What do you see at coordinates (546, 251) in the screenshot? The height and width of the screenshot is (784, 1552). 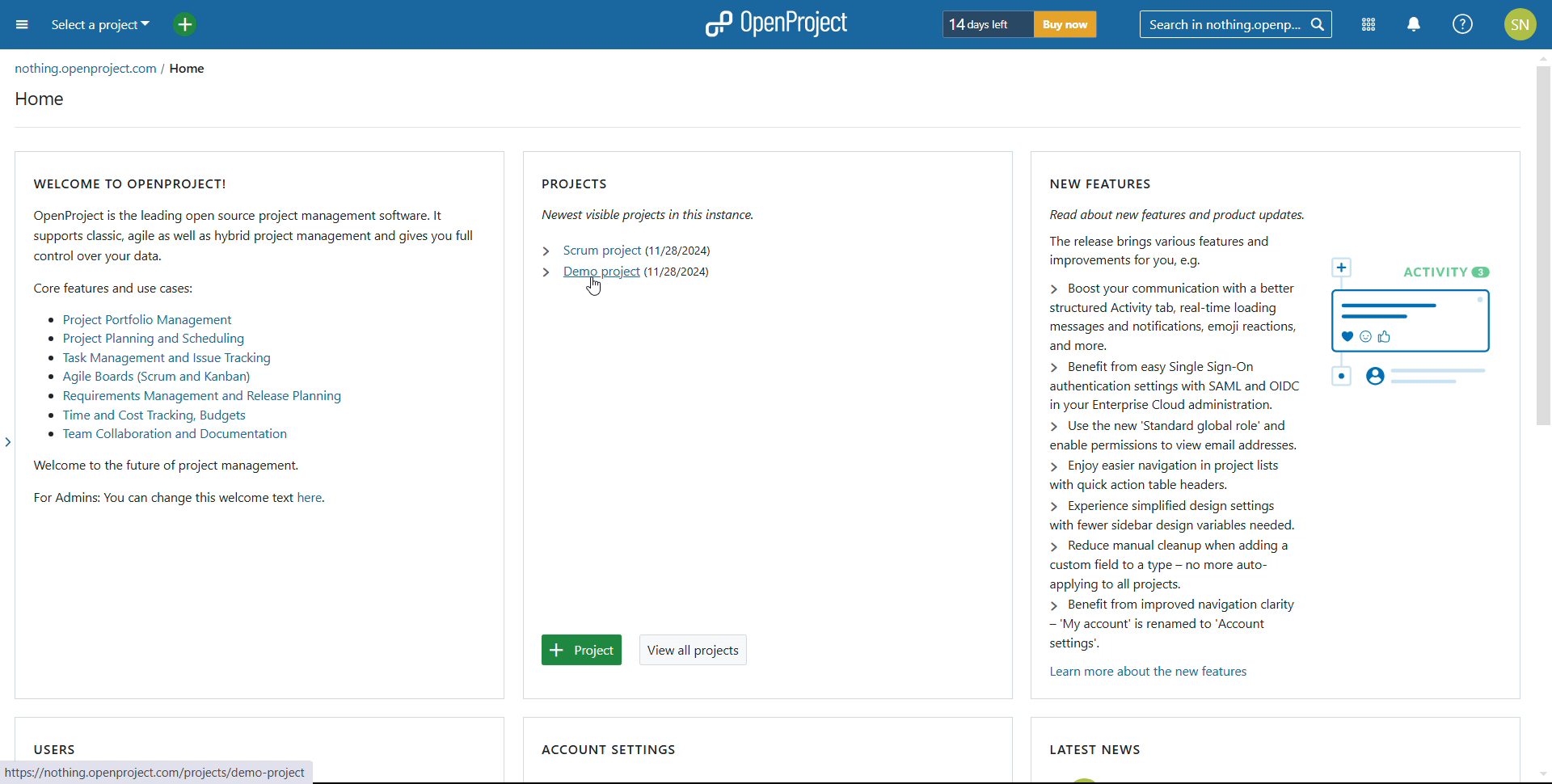 I see `expand scrum project` at bounding box center [546, 251].